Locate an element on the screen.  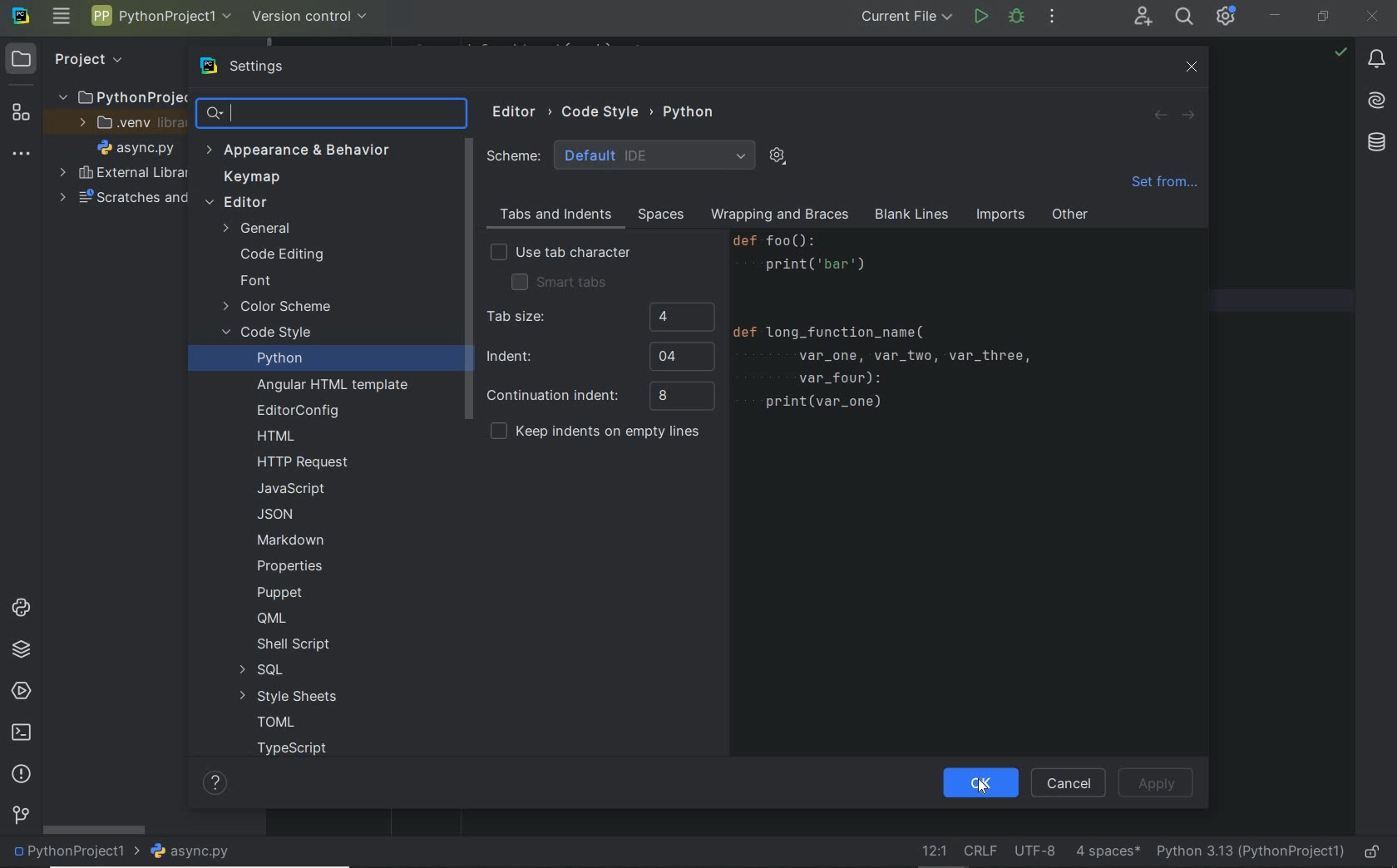
Search Everywhere is located at coordinates (1183, 19).